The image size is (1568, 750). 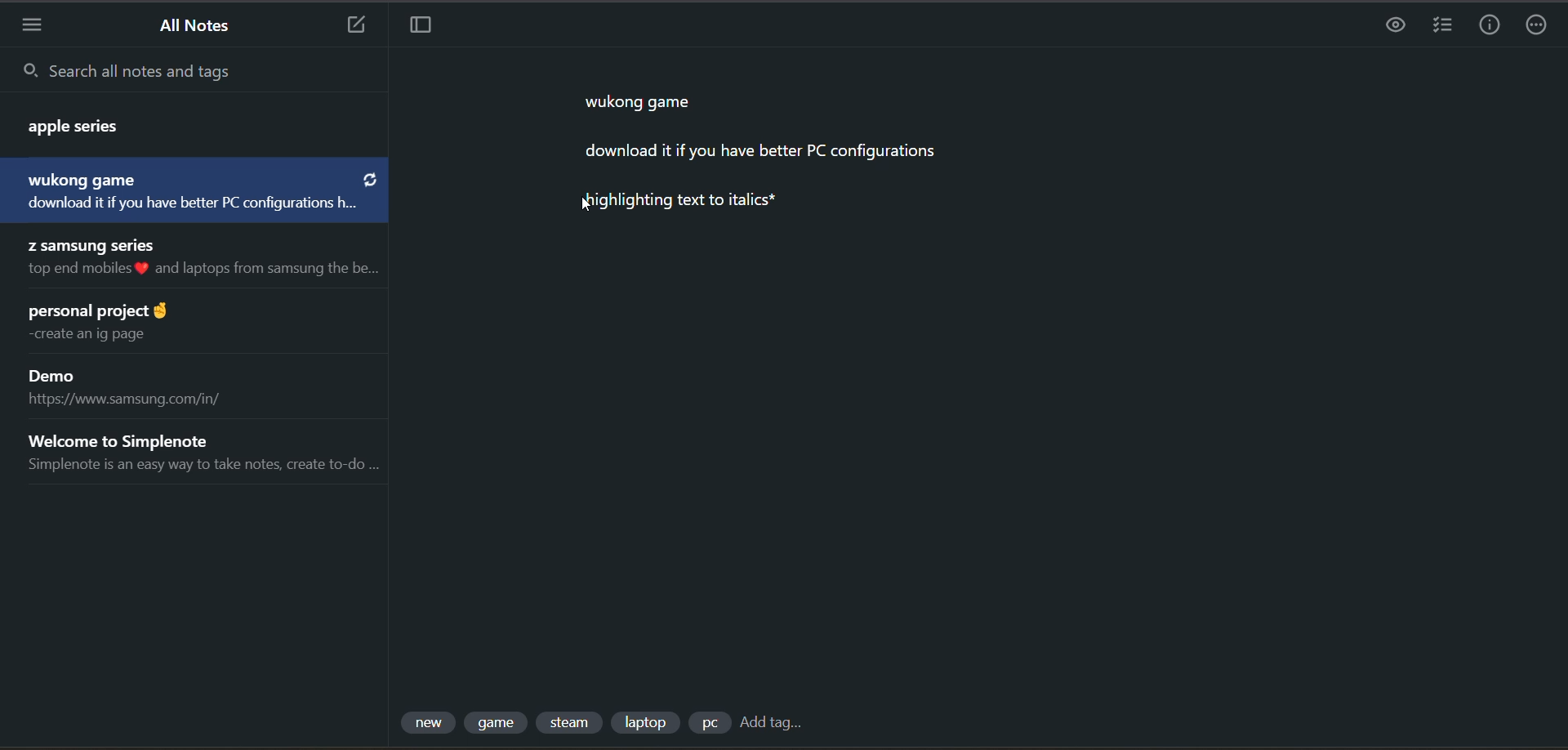 I want to click on tag 2, so click(x=498, y=723).